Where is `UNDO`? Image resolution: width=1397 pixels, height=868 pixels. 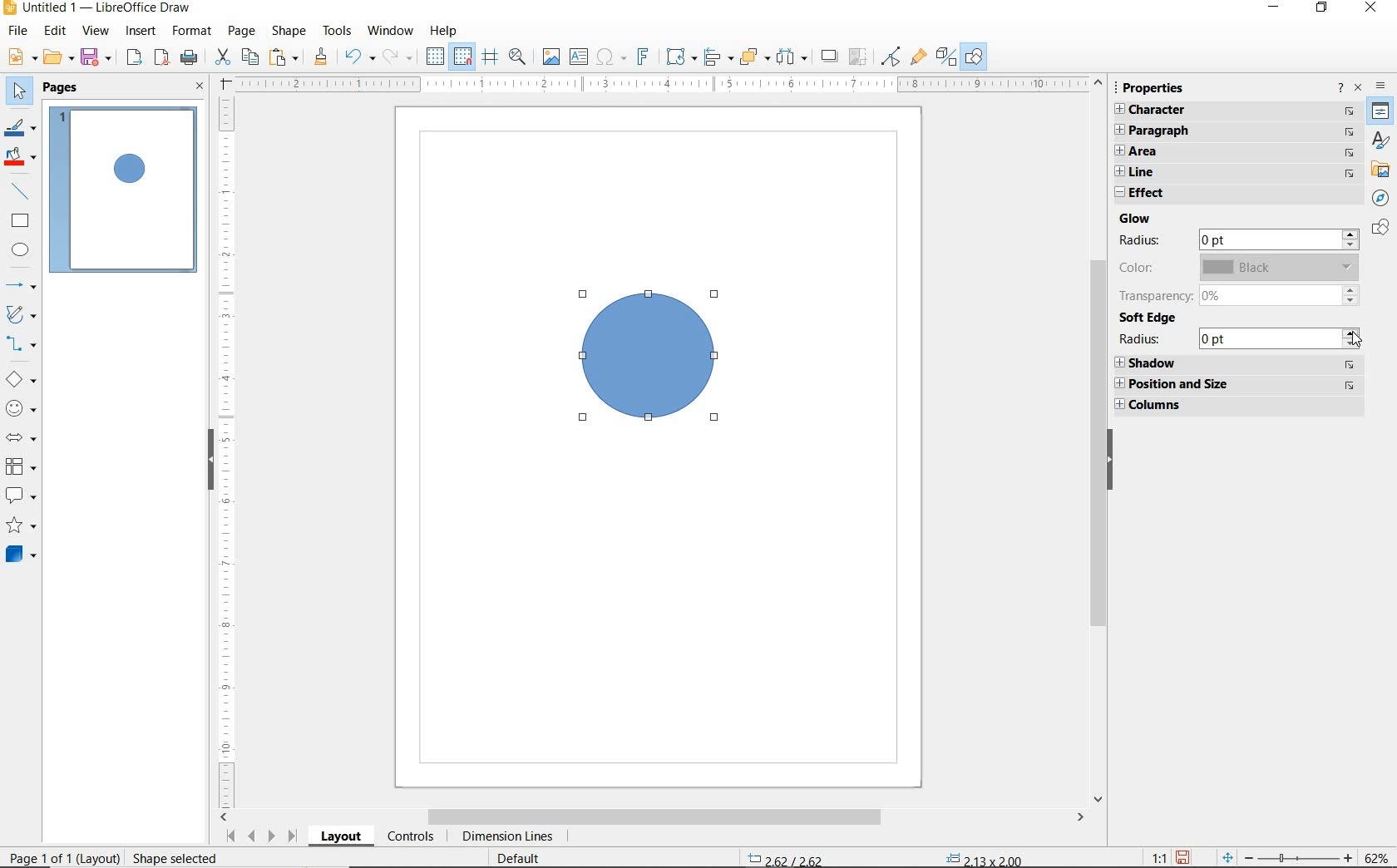
UNDO is located at coordinates (358, 57).